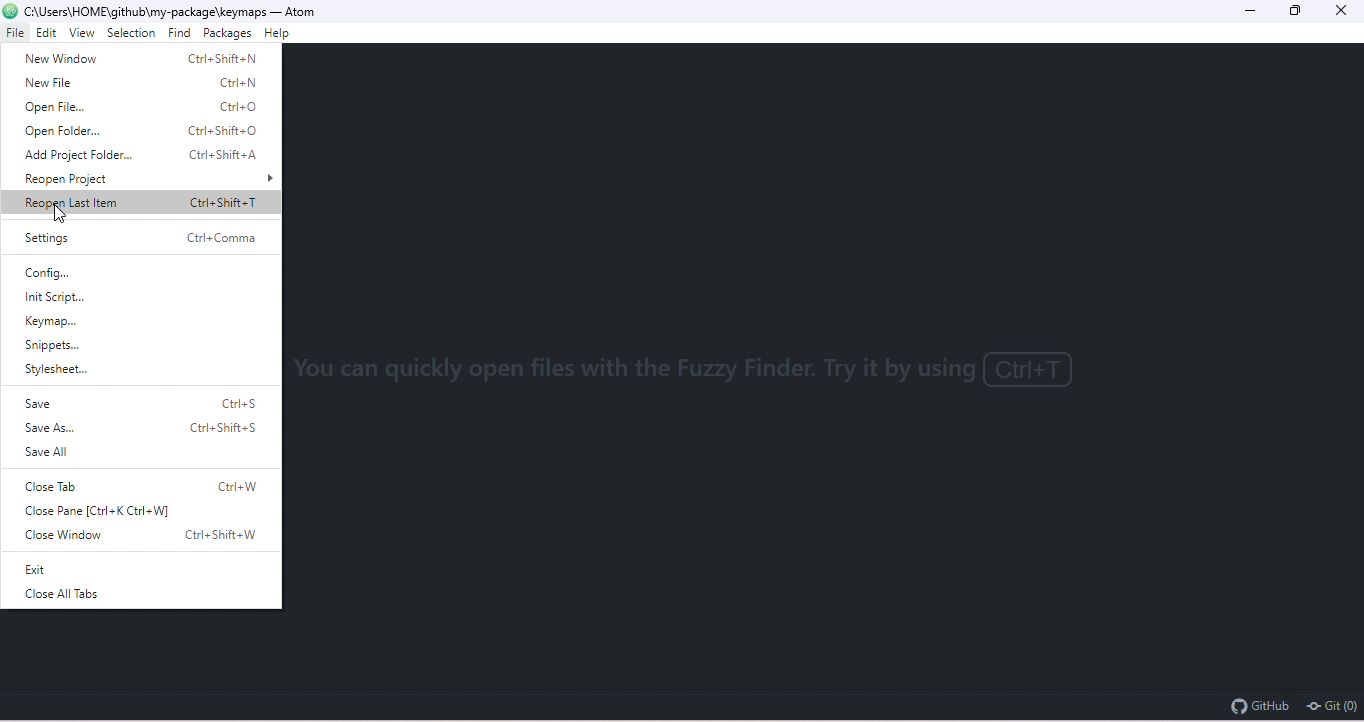 This screenshot has height=722, width=1364. Describe the element at coordinates (63, 215) in the screenshot. I see `cursor movement` at that location.